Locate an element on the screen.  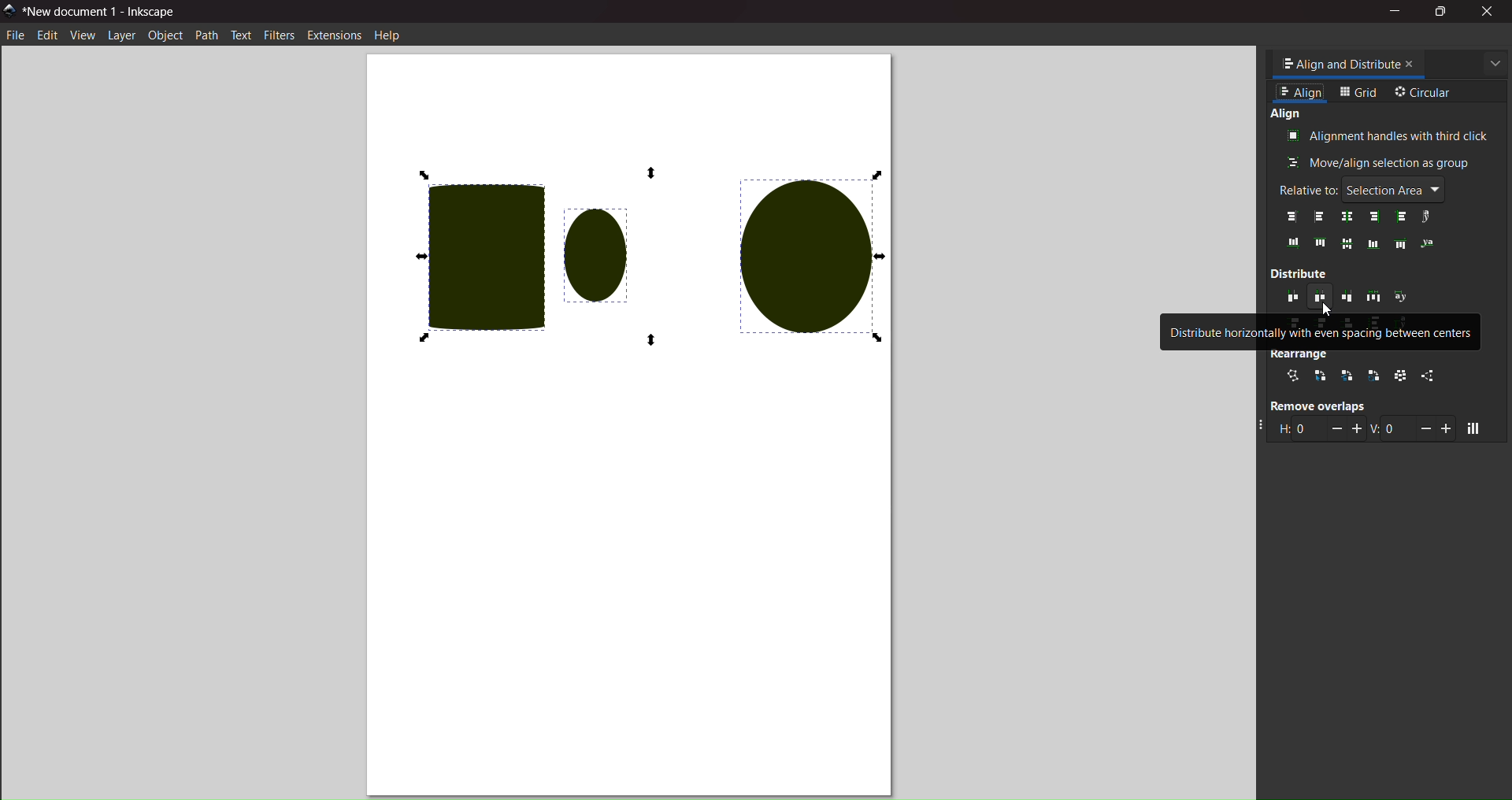
close tab is located at coordinates (1410, 63).